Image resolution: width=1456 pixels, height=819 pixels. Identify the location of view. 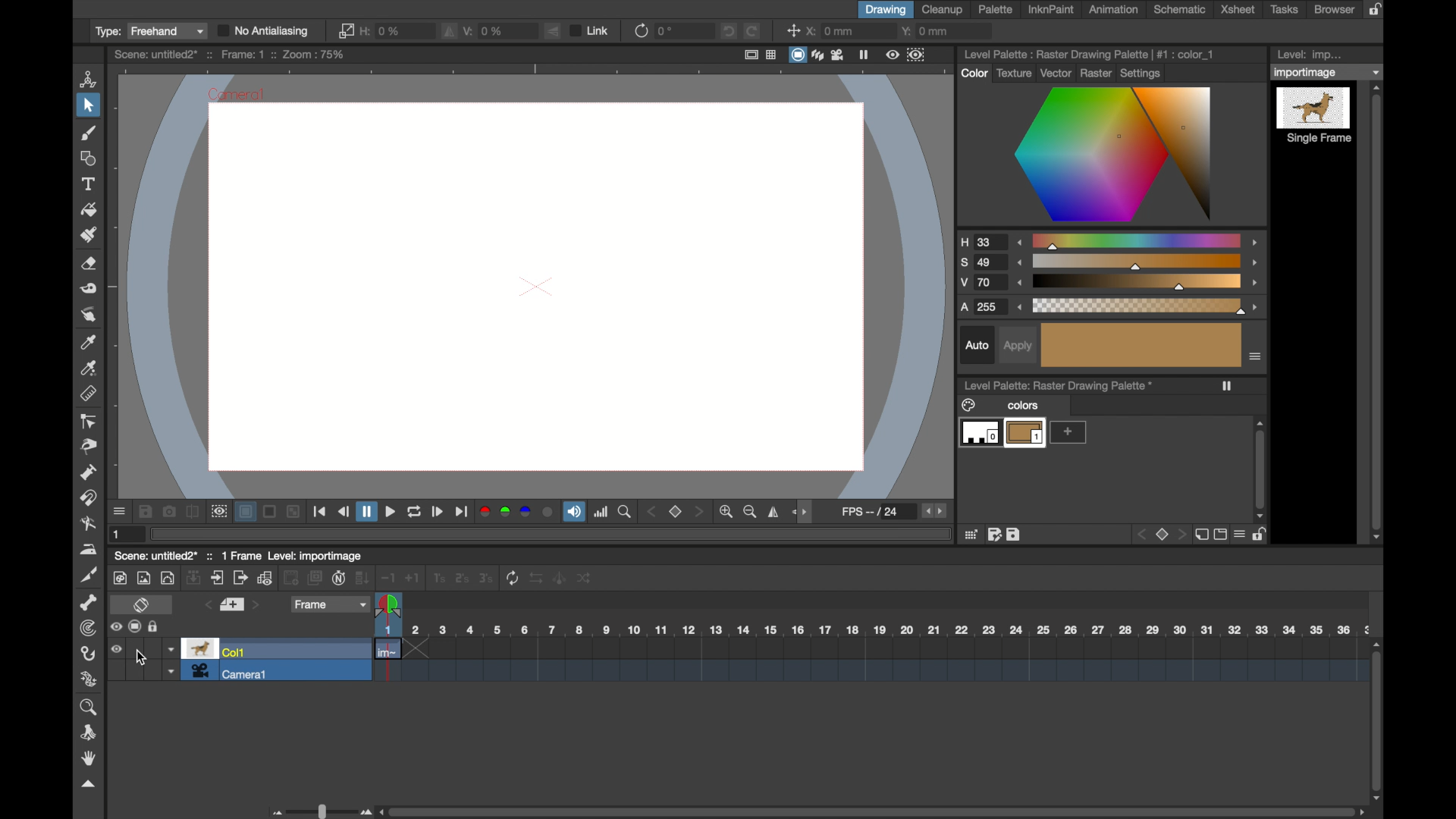
(892, 55).